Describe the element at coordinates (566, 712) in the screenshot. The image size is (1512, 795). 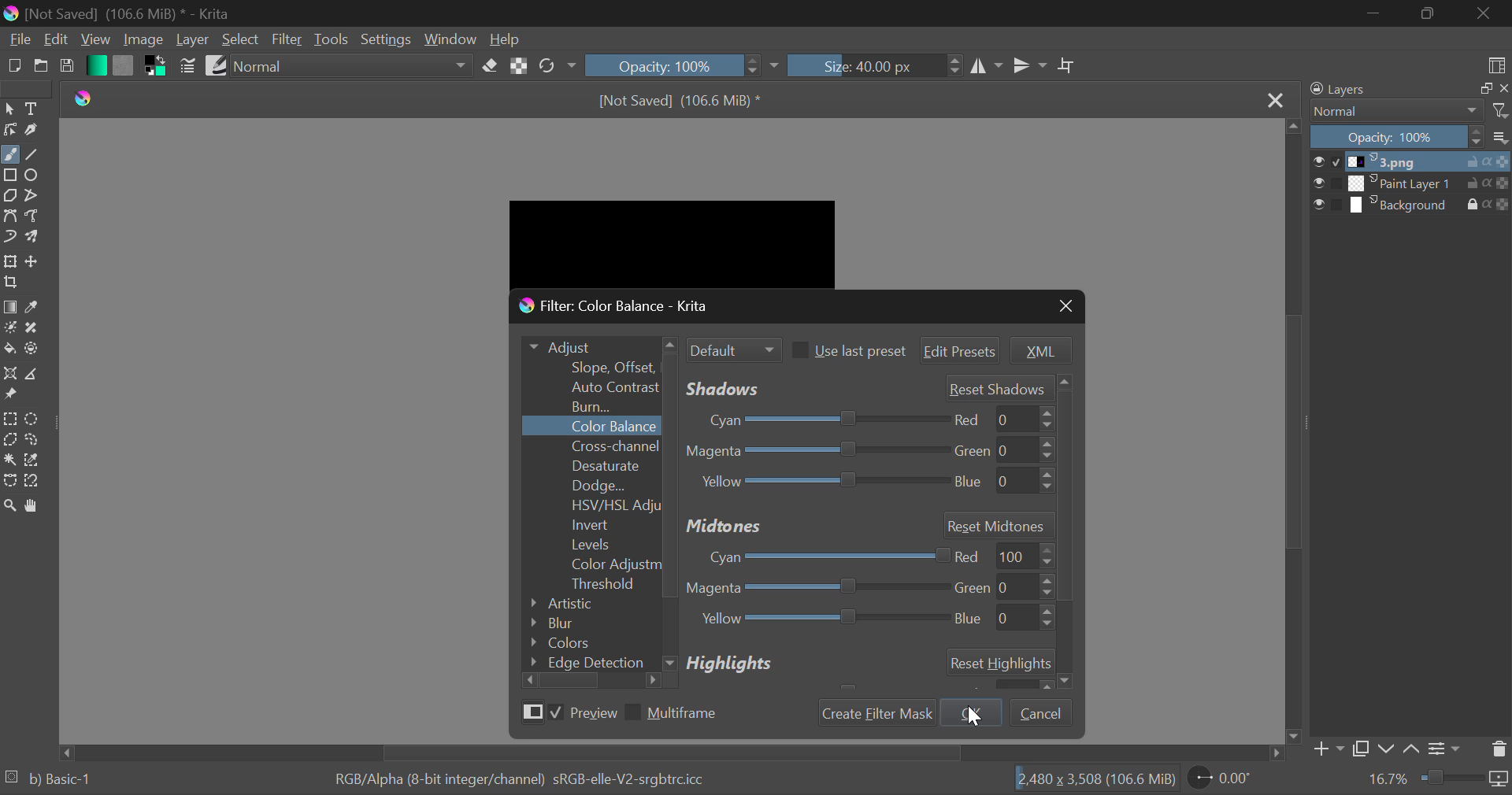
I see `Preview` at that location.